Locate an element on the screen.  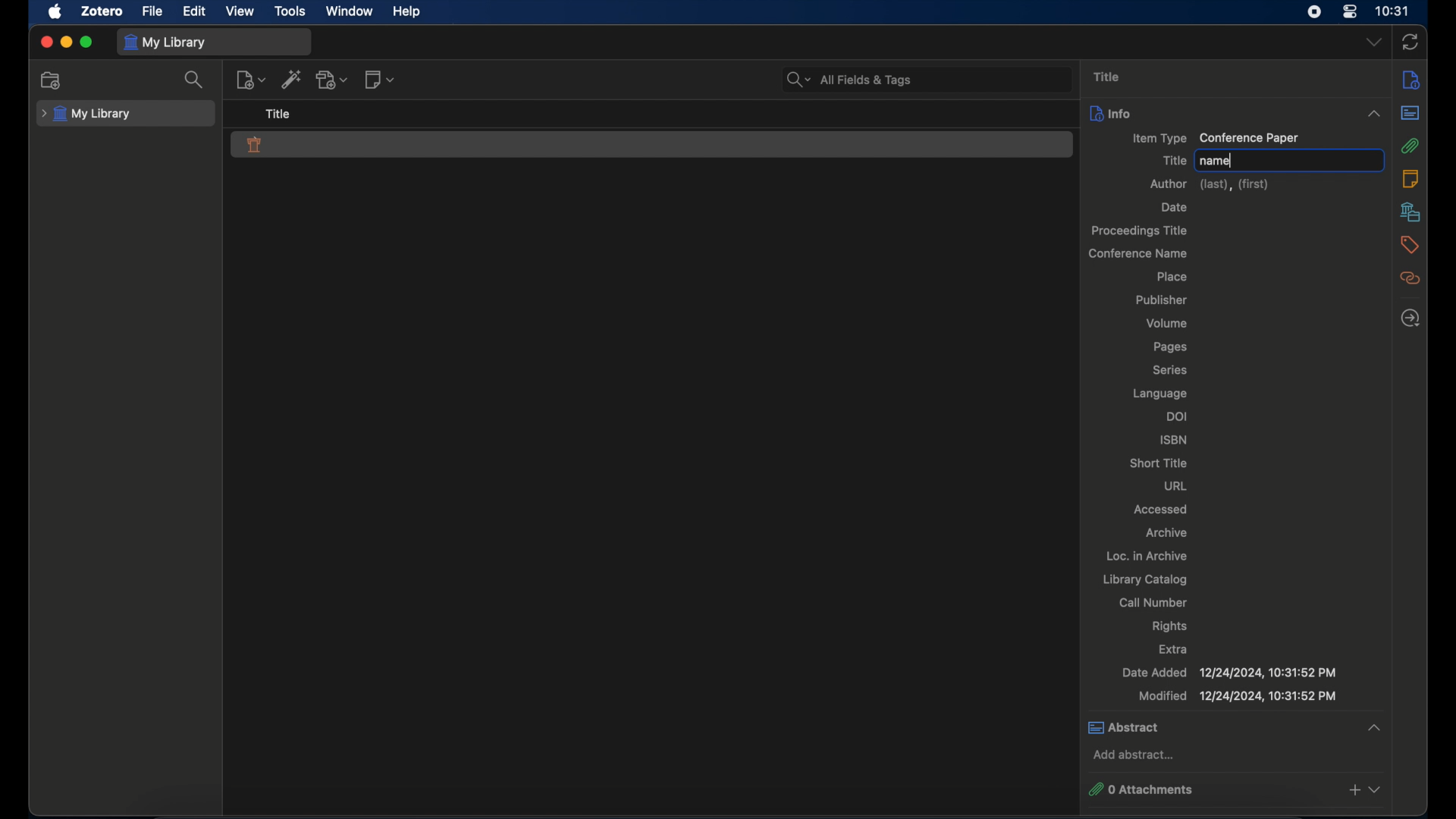
my library is located at coordinates (86, 115).